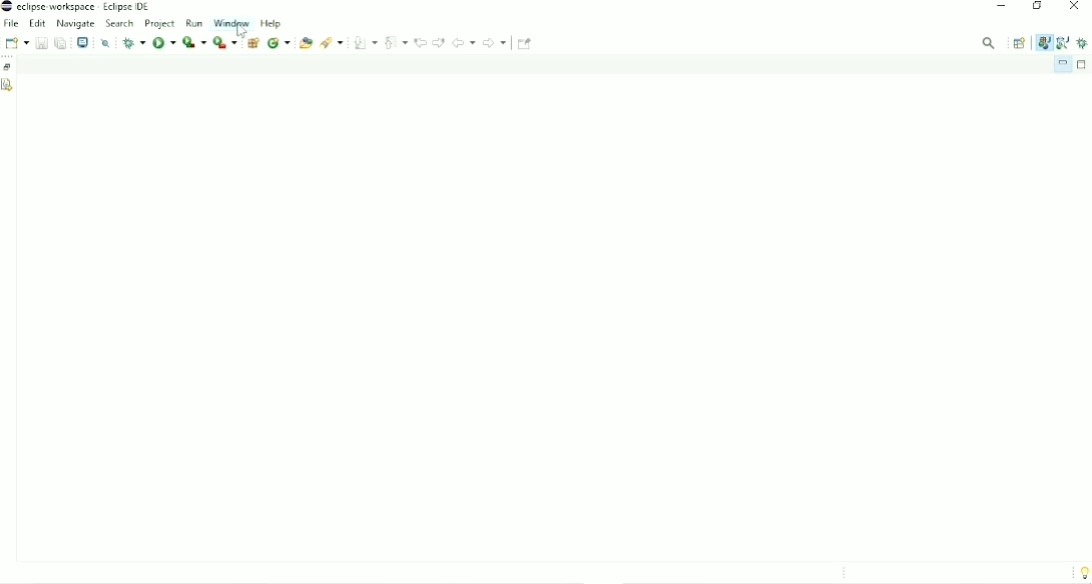 This screenshot has height=584, width=1092. Describe the element at coordinates (1036, 8) in the screenshot. I see `Restore down` at that location.